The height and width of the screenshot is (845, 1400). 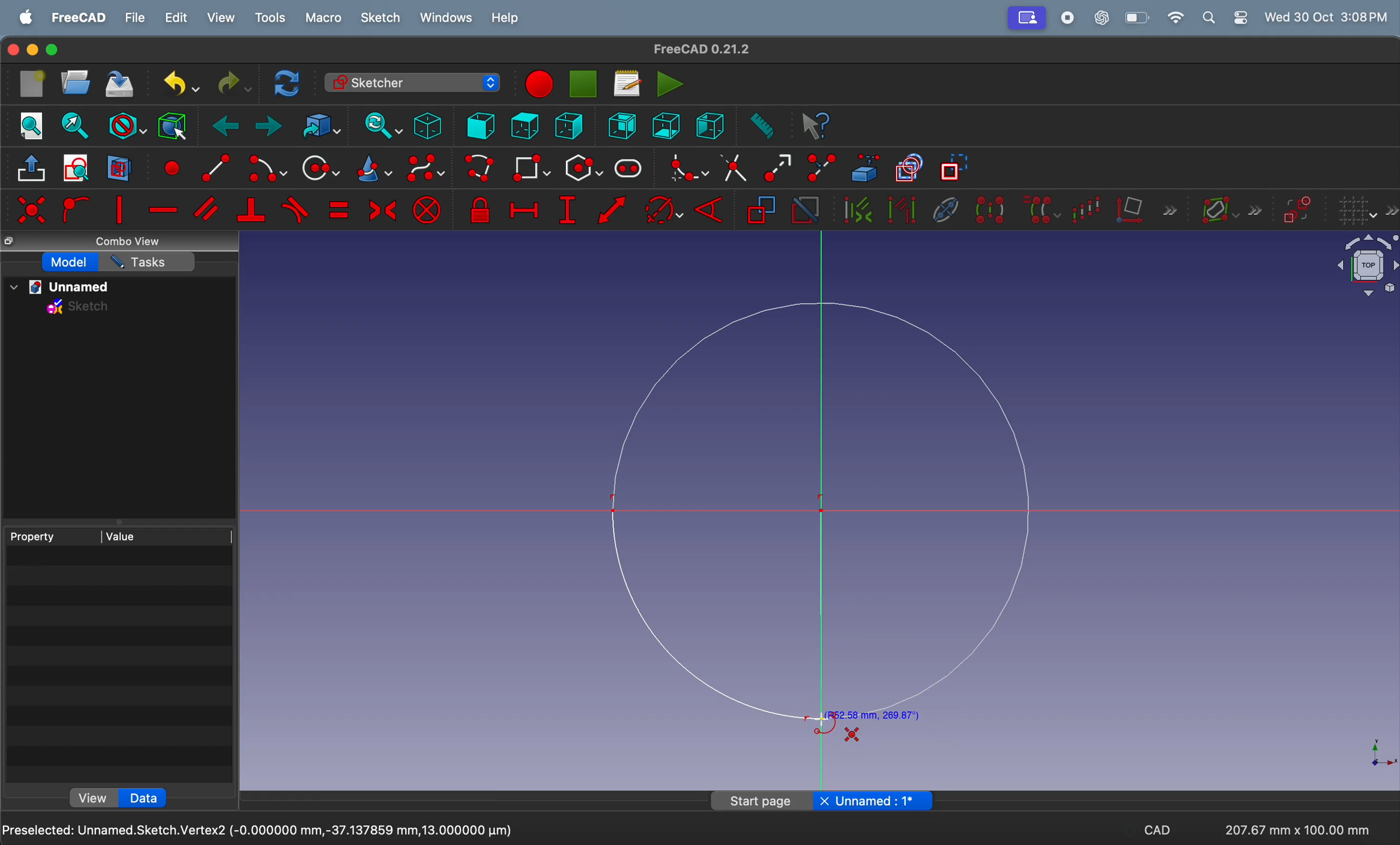 I want to click on sync view, so click(x=378, y=126).